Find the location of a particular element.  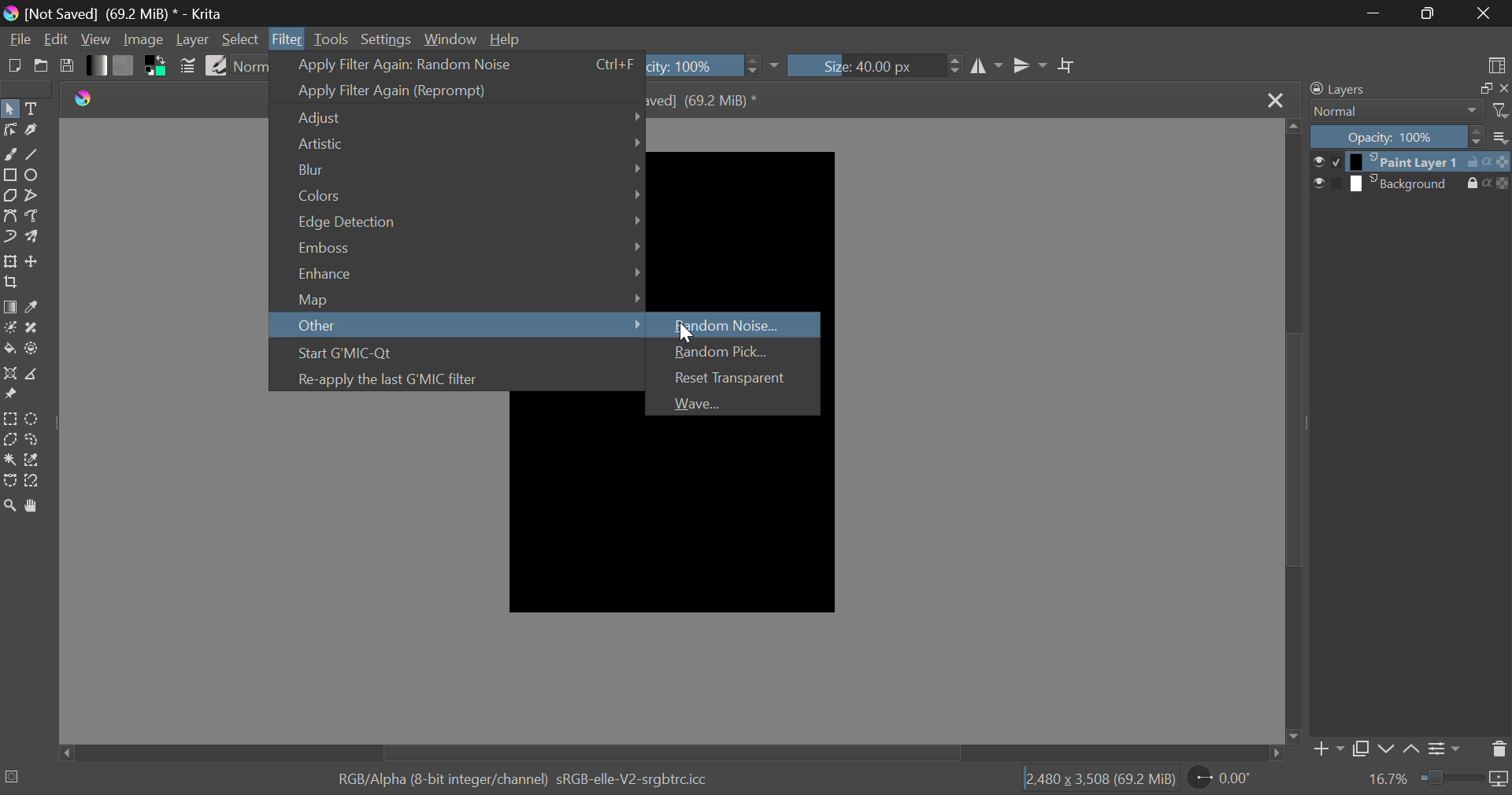

Rectangle is located at coordinates (9, 173).